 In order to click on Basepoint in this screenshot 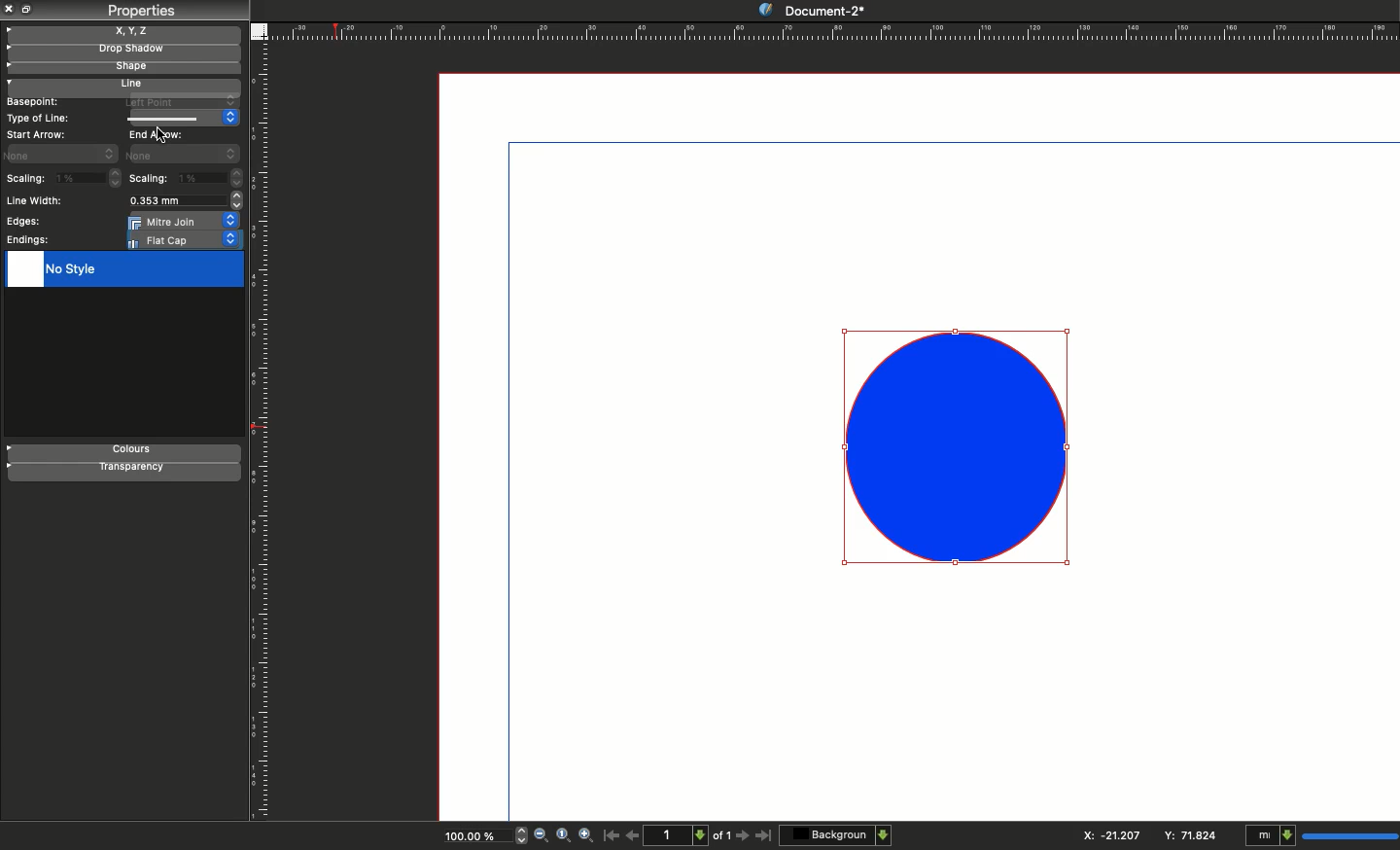, I will do `click(32, 102)`.